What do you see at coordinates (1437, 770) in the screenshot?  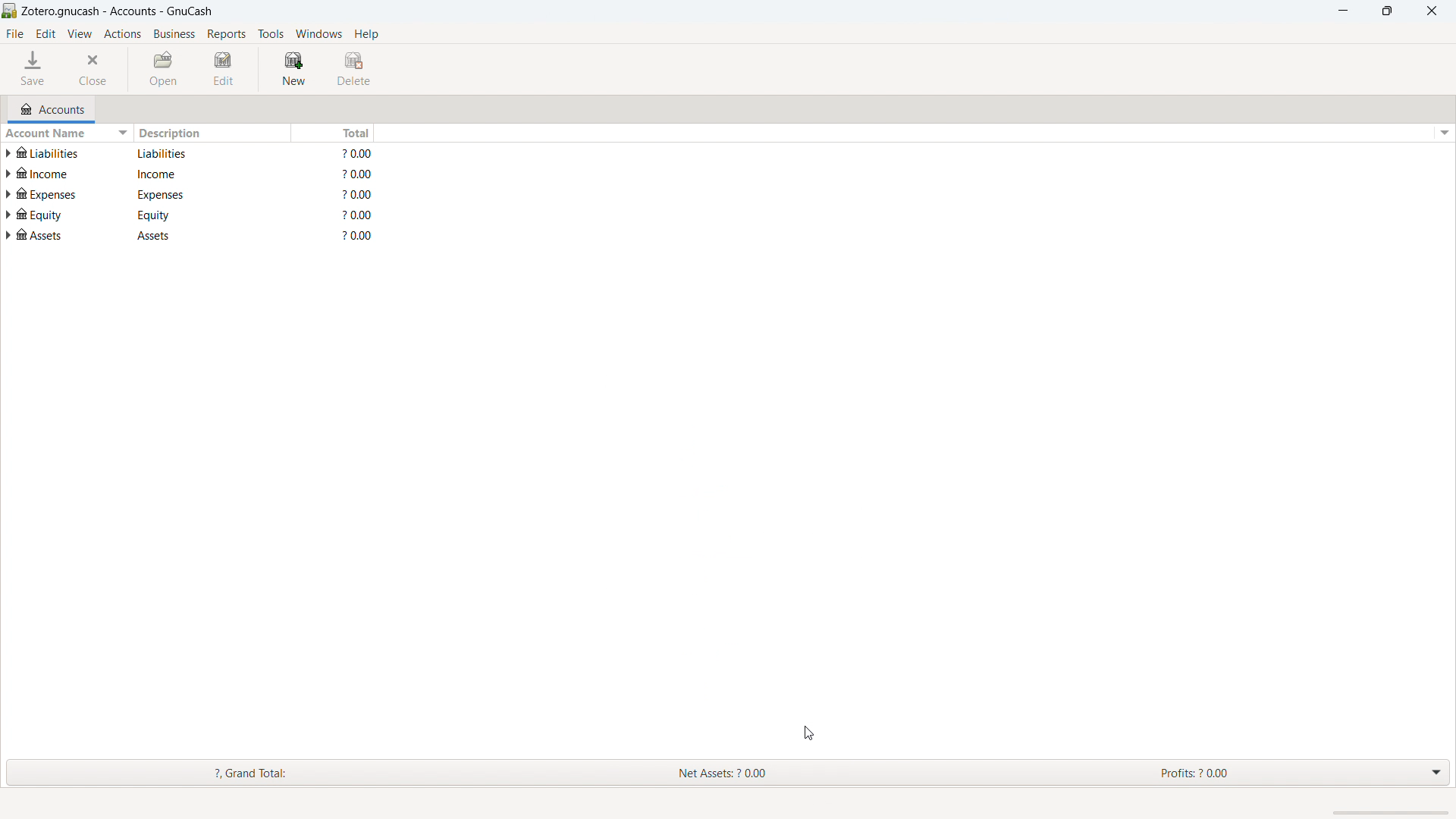 I see `drop down menu` at bounding box center [1437, 770].